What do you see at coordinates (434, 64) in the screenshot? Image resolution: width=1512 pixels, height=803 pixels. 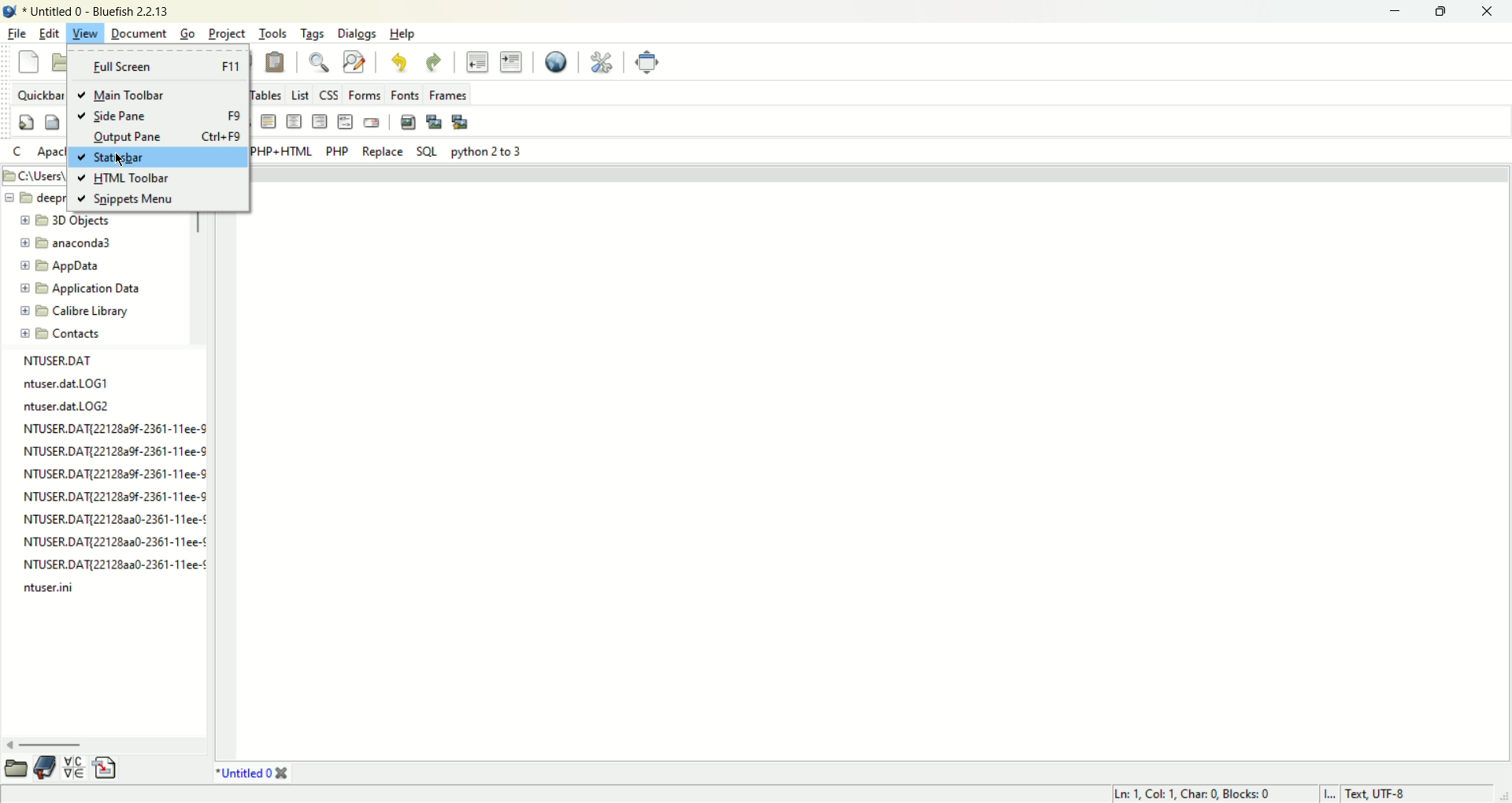 I see `redo` at bounding box center [434, 64].